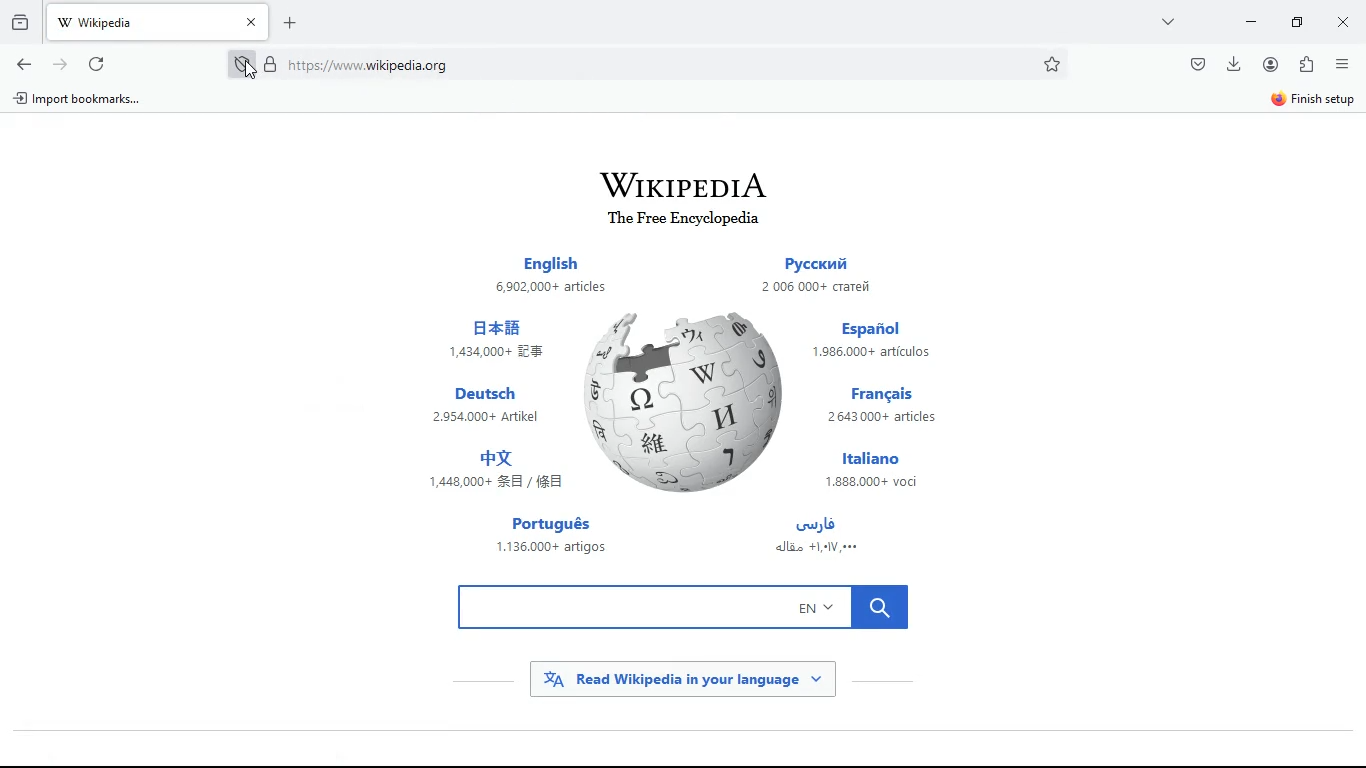  I want to click on back, so click(23, 64).